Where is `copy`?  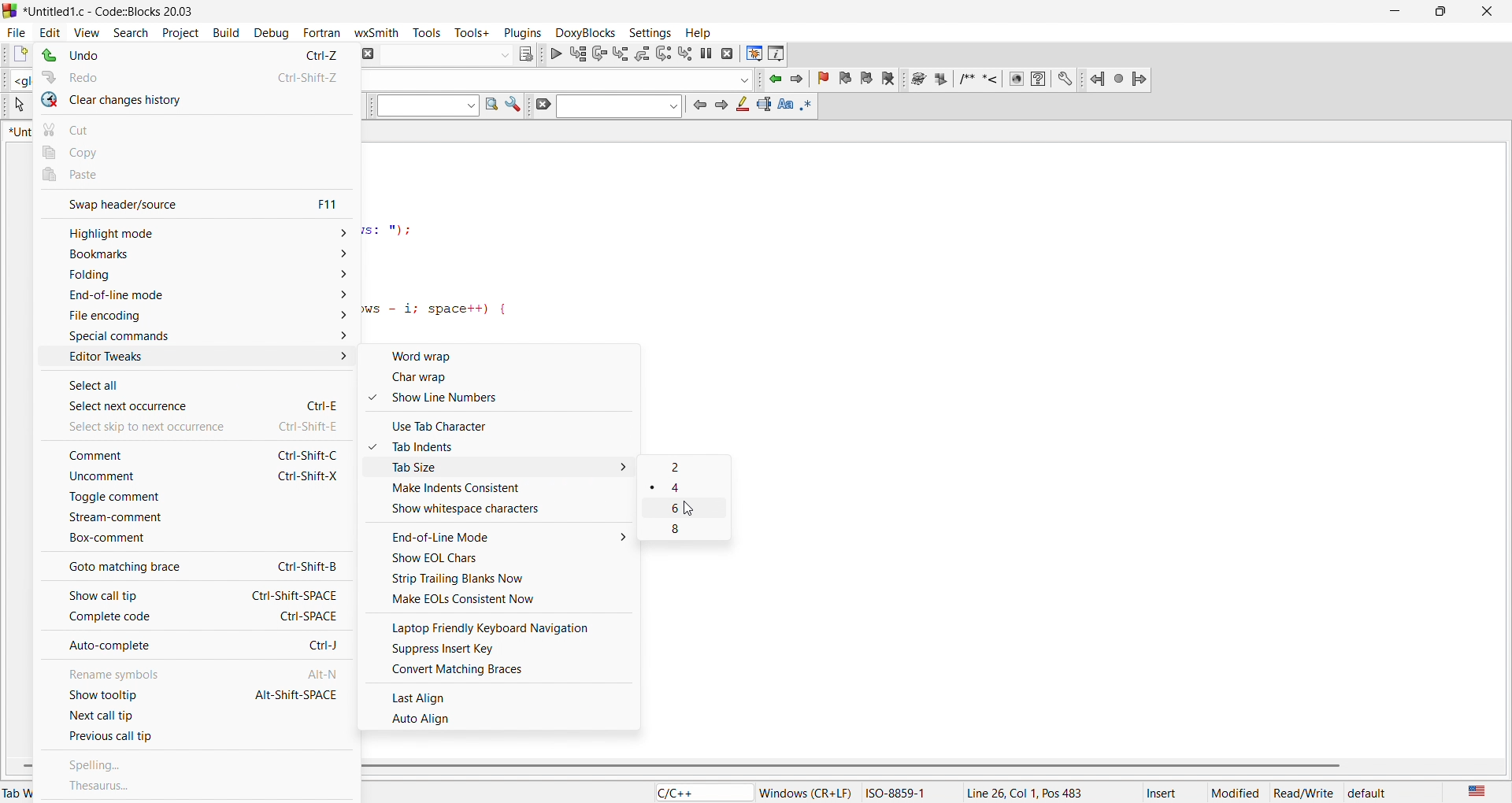
copy is located at coordinates (195, 152).